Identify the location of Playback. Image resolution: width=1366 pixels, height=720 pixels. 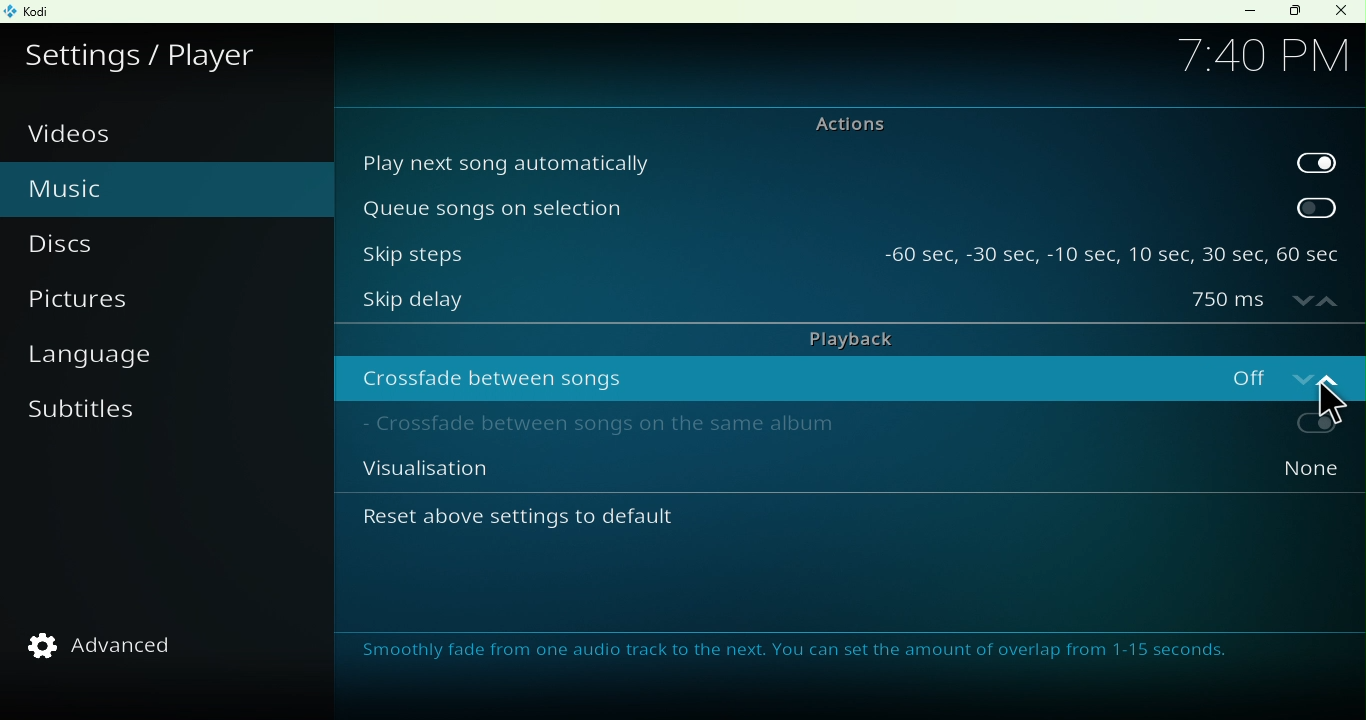
(846, 337).